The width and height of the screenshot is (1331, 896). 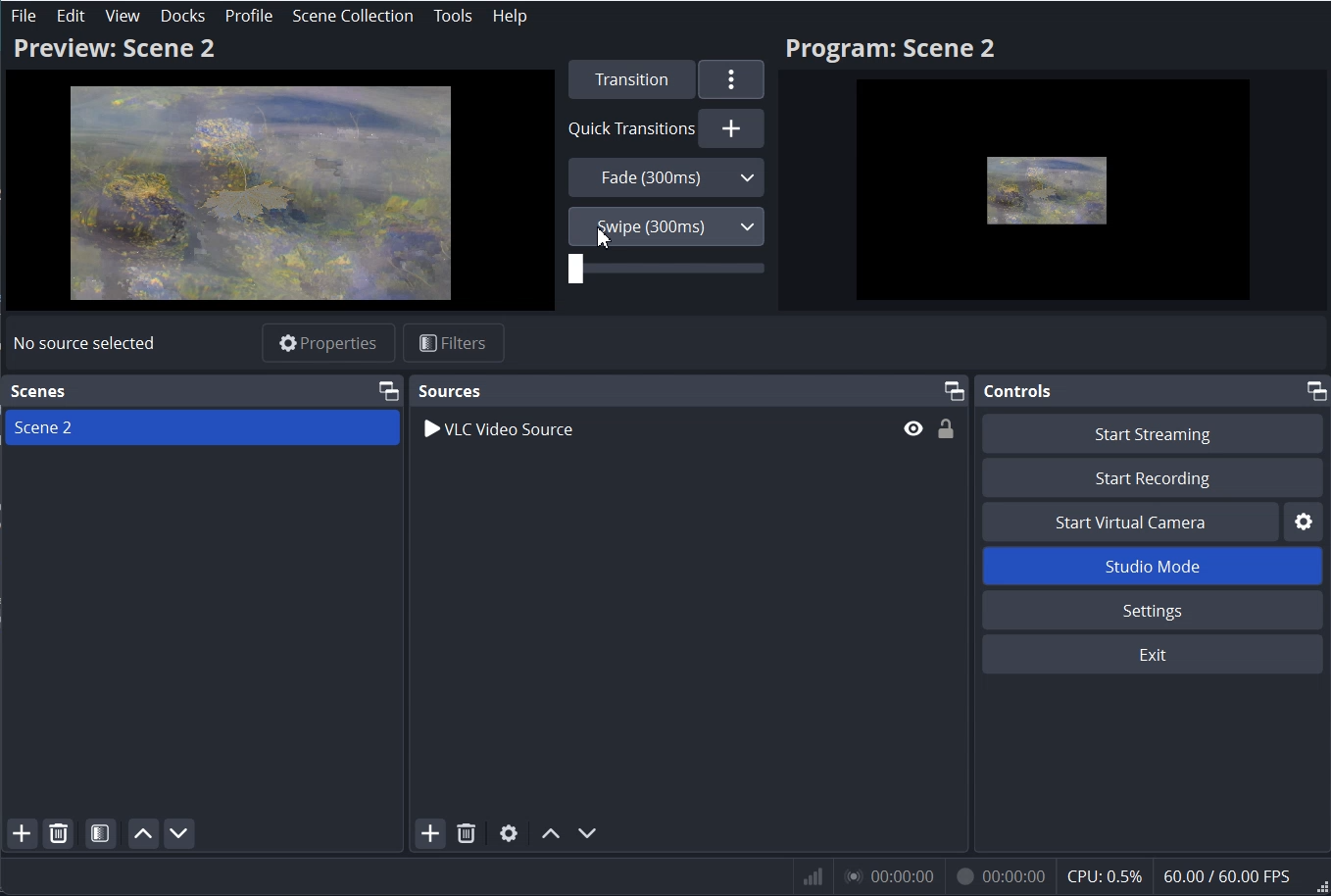 I want to click on Scene, so click(x=41, y=391).